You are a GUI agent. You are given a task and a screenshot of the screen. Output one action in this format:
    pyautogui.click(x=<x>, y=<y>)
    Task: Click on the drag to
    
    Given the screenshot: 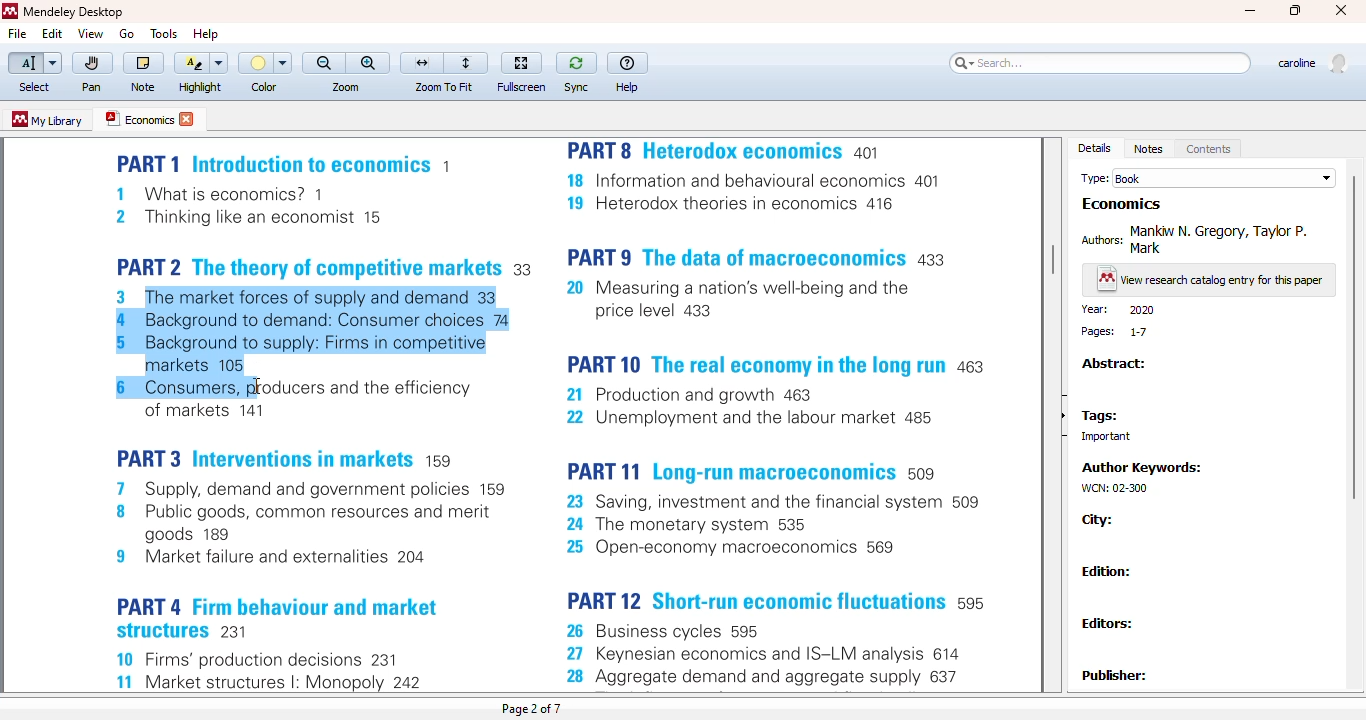 What is the action you would take?
    pyautogui.click(x=257, y=386)
    